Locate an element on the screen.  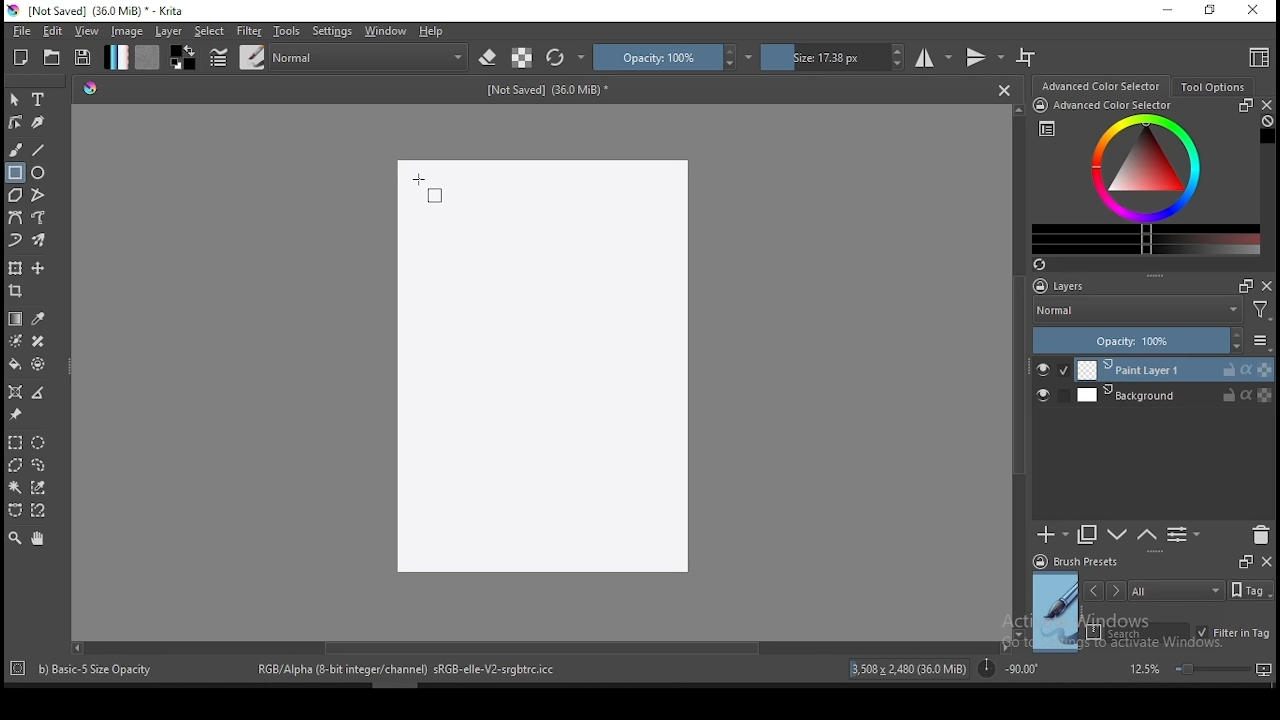
dynamic brush tool is located at coordinates (15, 241).